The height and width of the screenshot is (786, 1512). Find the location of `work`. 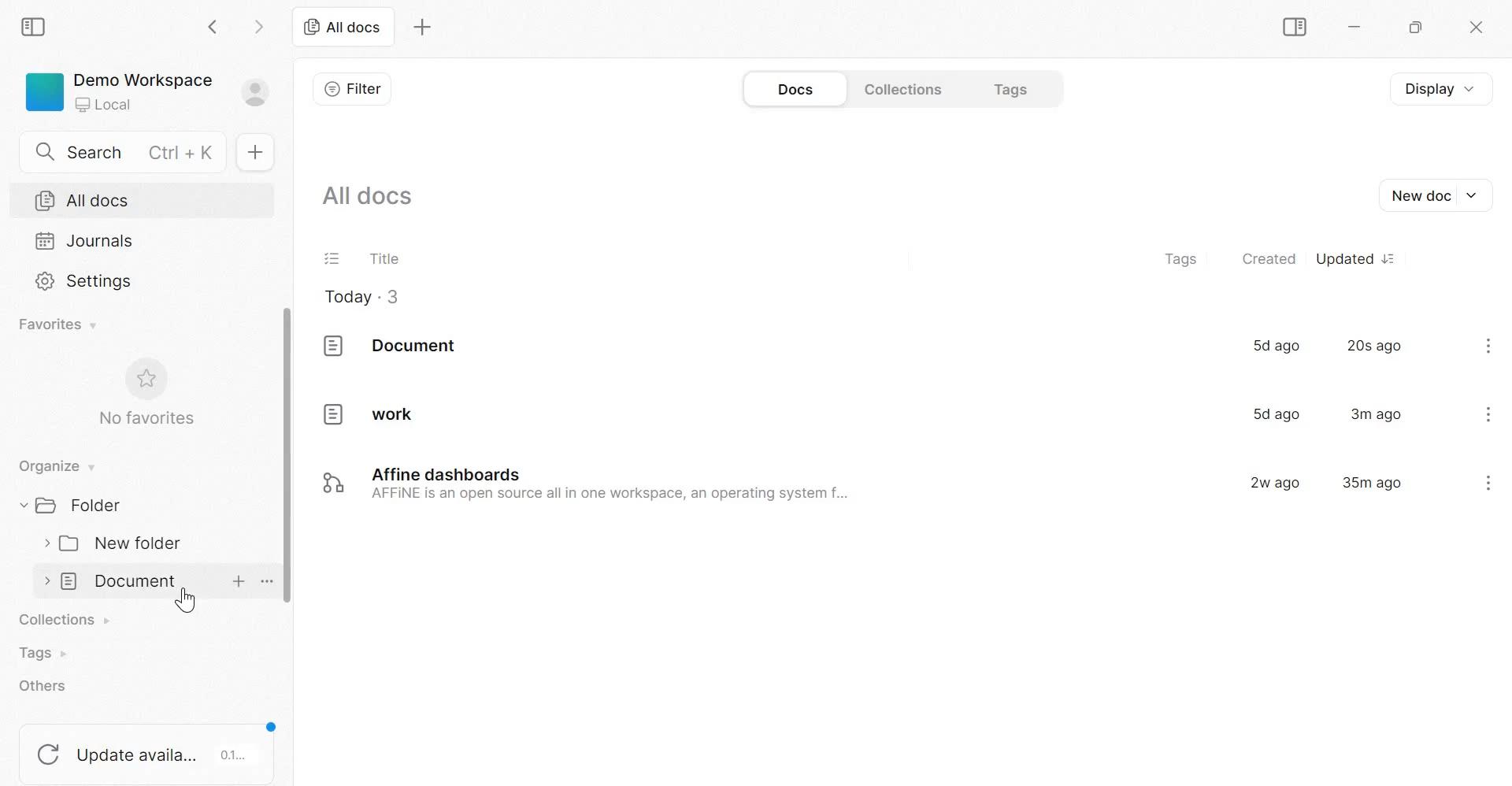

work is located at coordinates (361, 413).